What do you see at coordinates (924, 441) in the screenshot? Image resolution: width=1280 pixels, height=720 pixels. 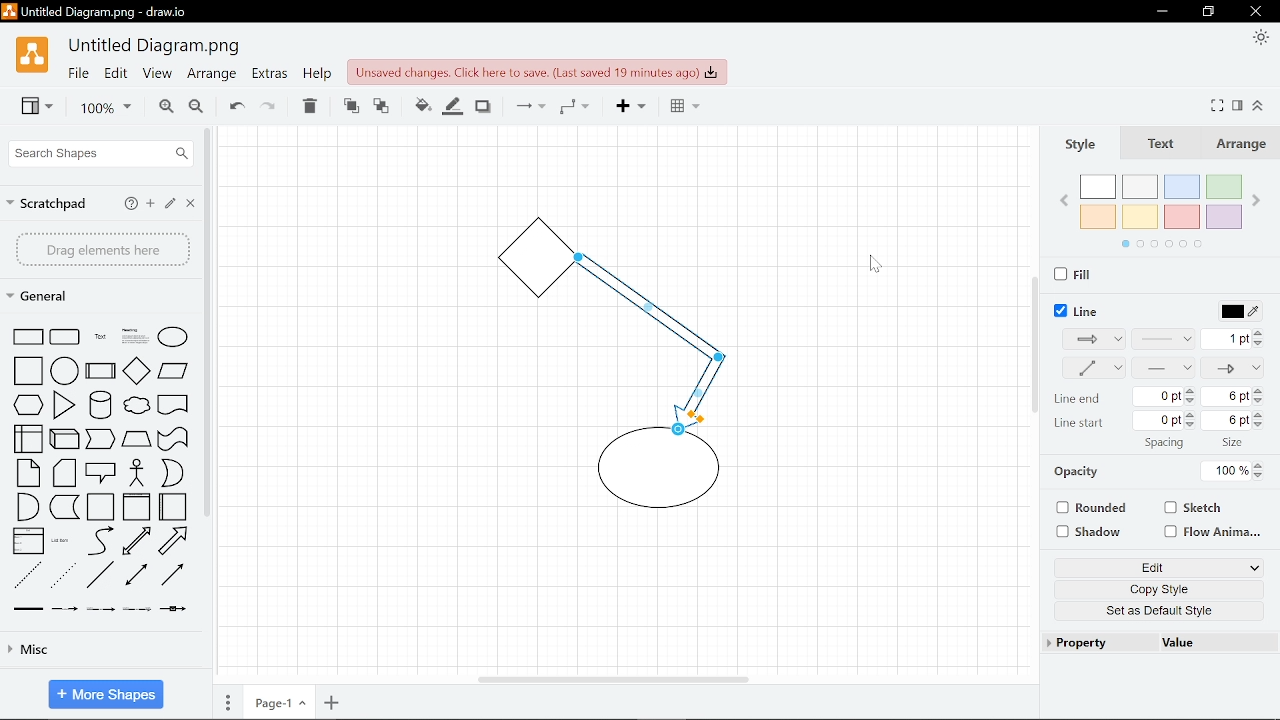 I see `size` at bounding box center [924, 441].